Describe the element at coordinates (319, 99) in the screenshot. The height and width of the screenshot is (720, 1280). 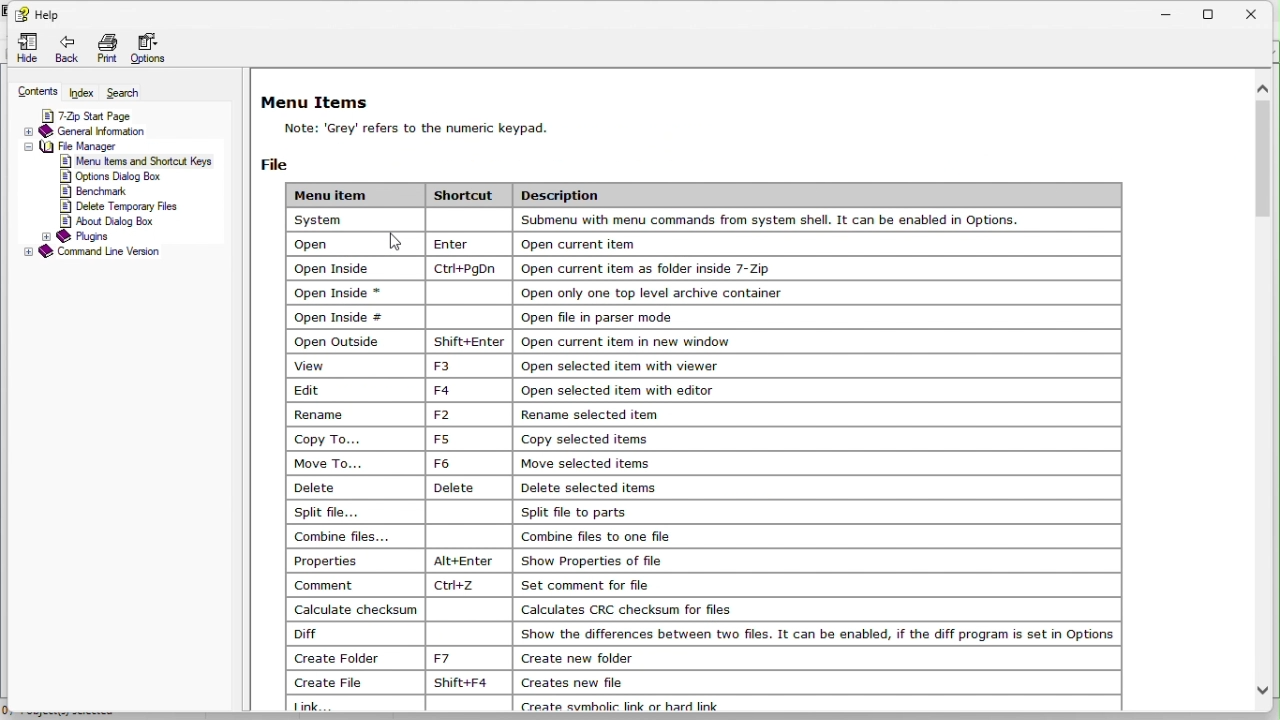
I see ` Menu Items` at that location.